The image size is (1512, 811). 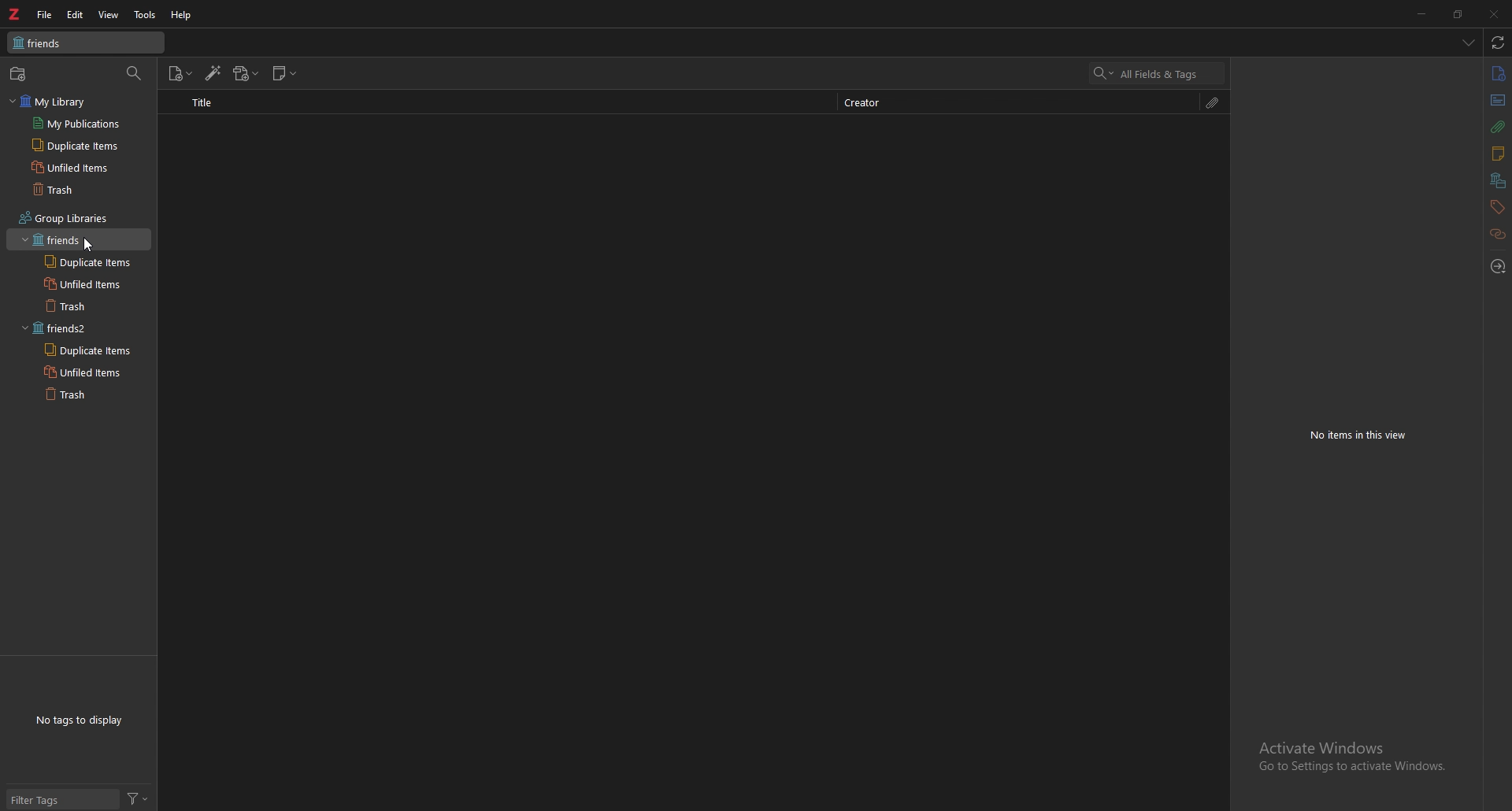 I want to click on unfiled items, so click(x=84, y=167).